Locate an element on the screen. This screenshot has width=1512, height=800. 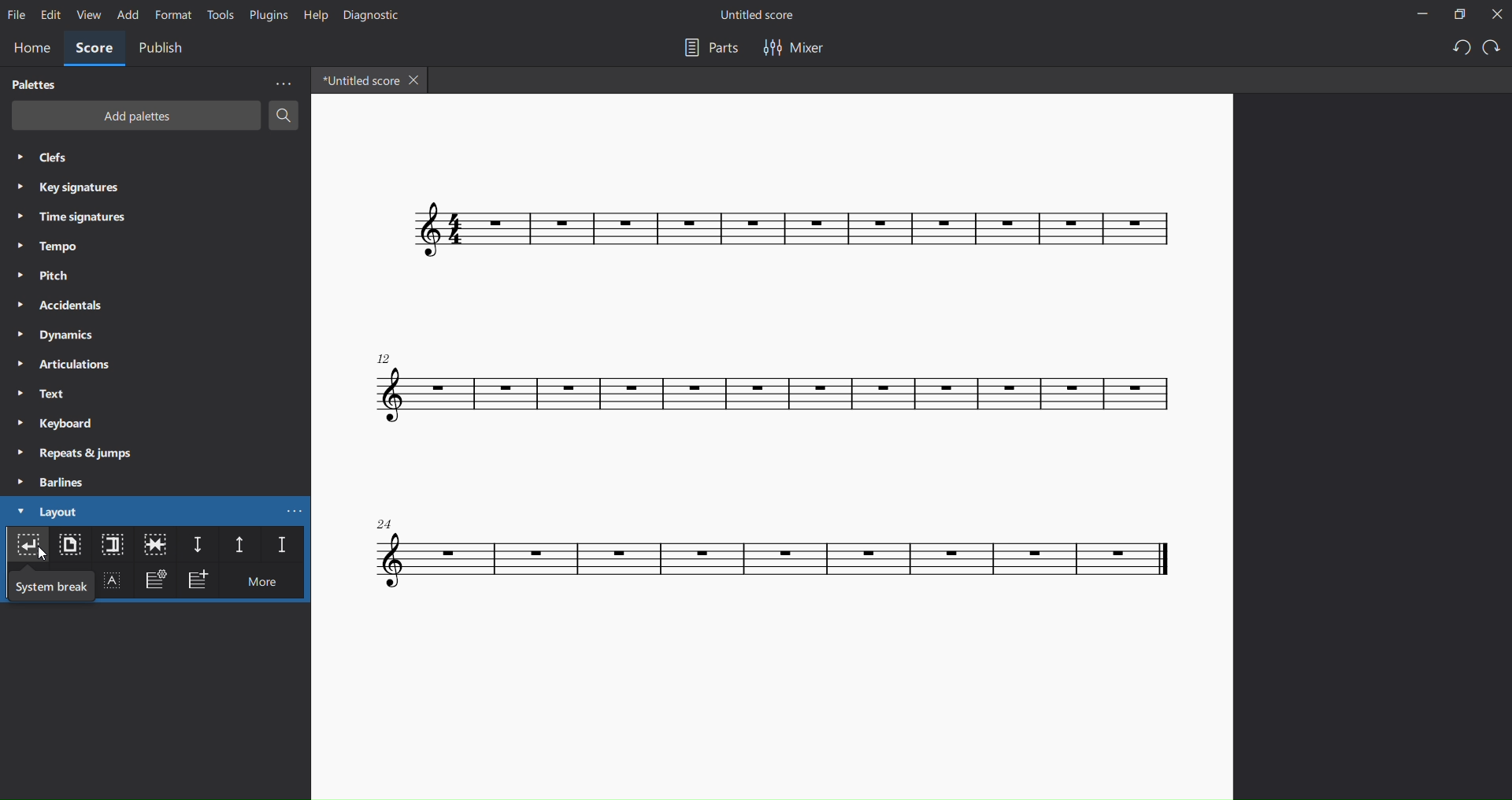
score is located at coordinates (94, 50).